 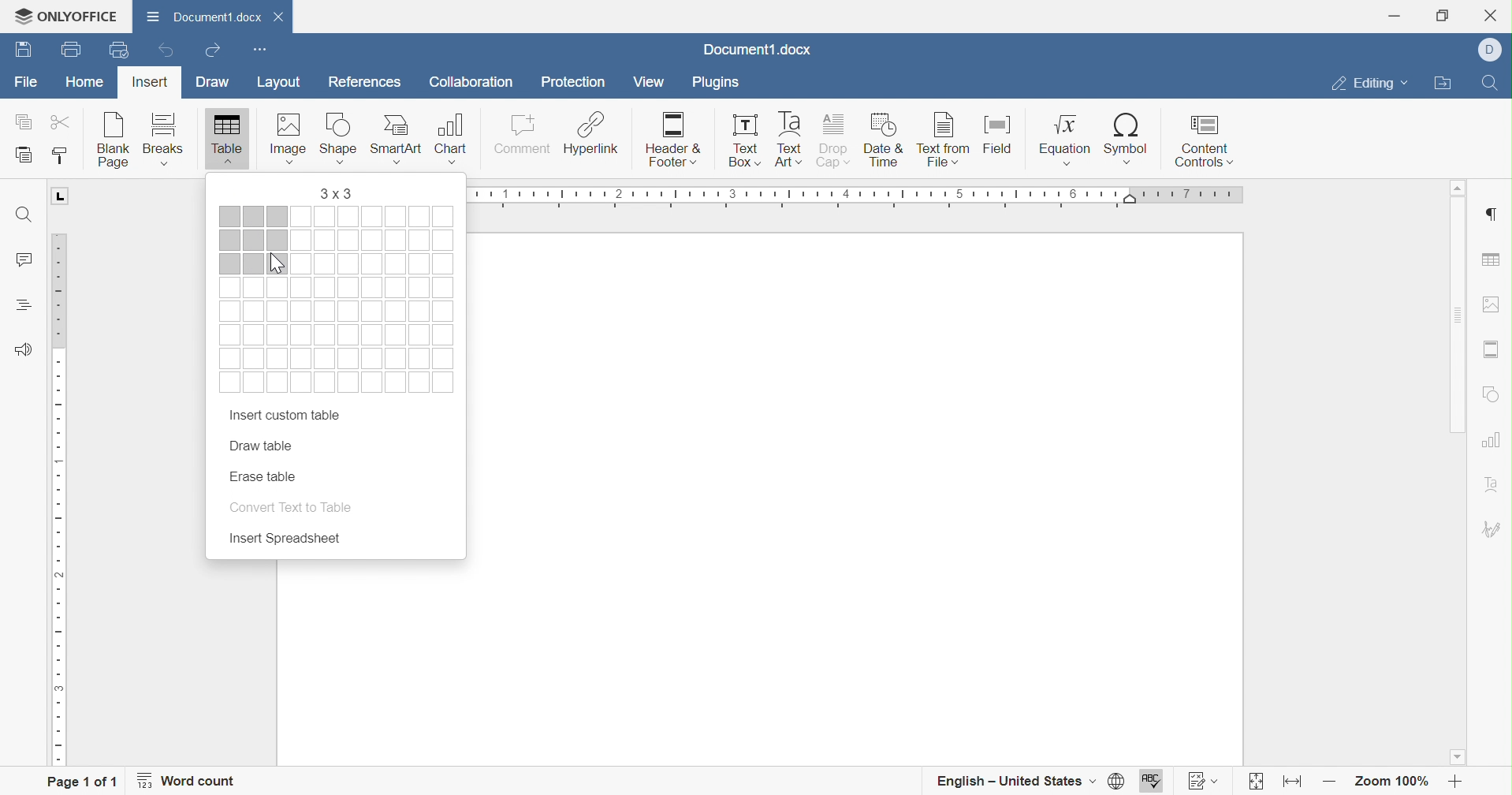 What do you see at coordinates (255, 241) in the screenshot?
I see `3x3 table selected` at bounding box center [255, 241].